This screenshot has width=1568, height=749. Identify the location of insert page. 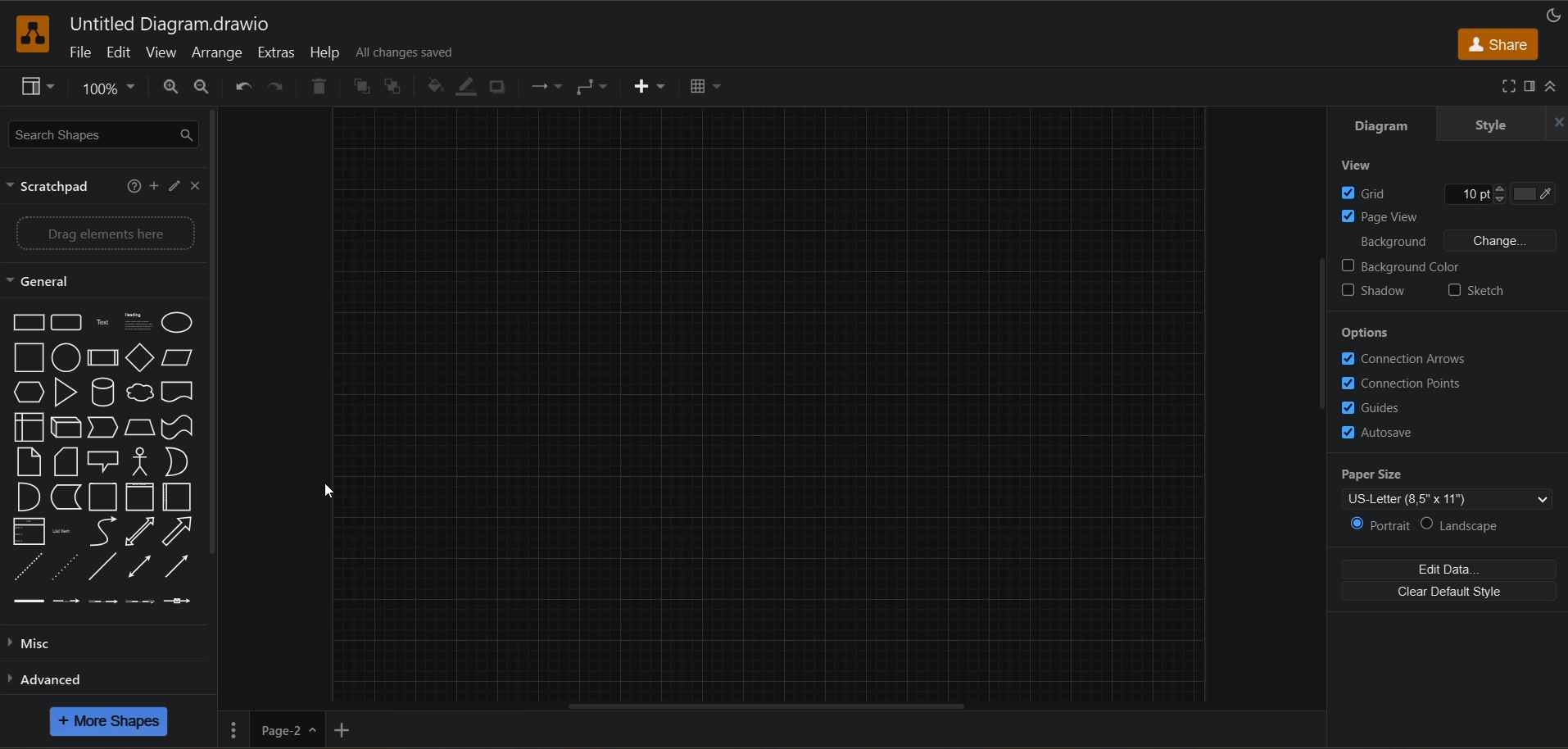
(405, 729).